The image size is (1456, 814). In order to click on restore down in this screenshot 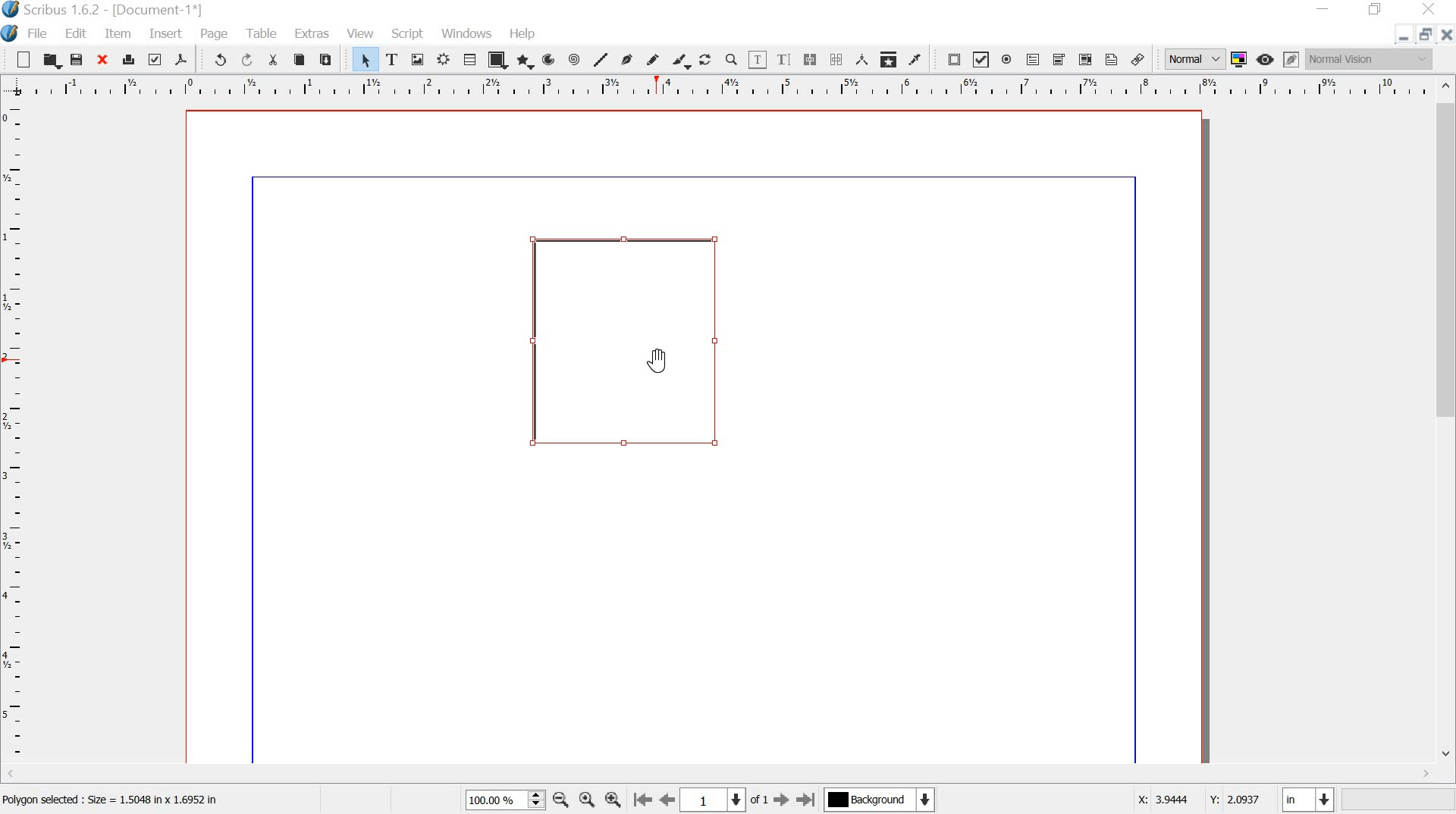, I will do `click(1375, 9)`.